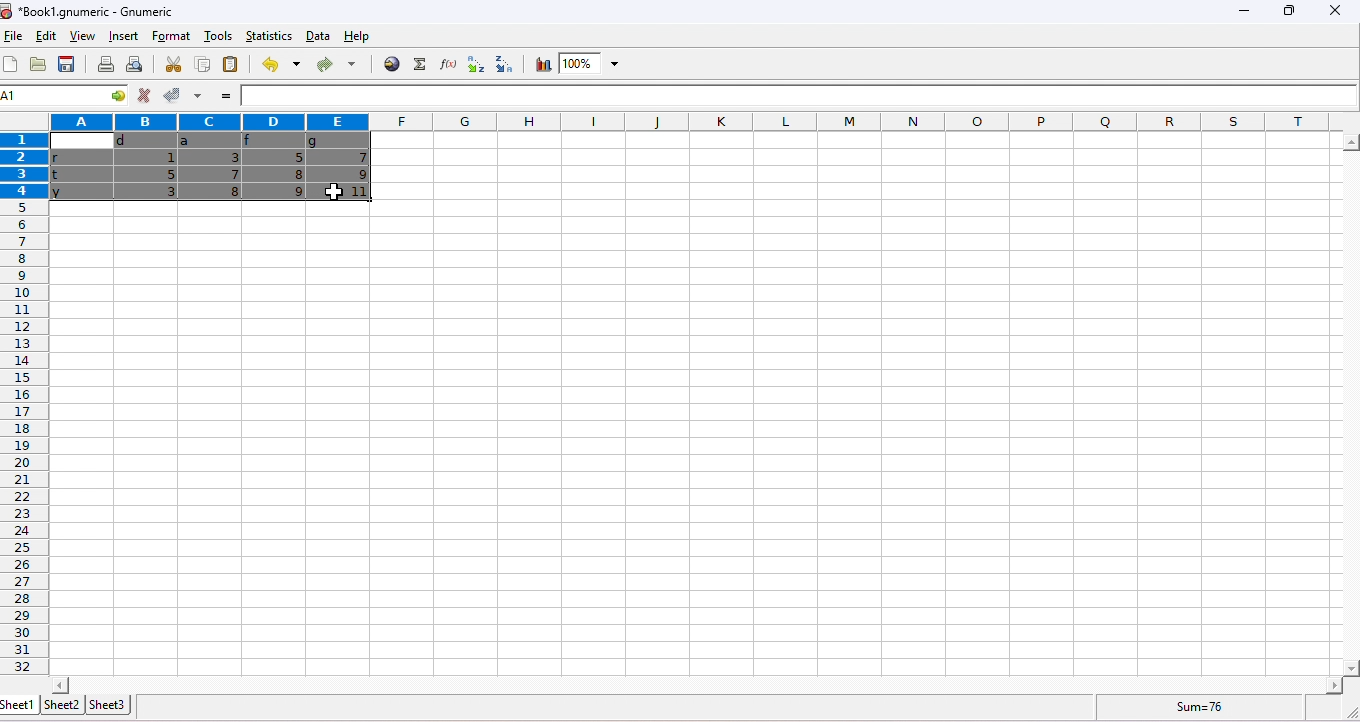 The height and width of the screenshot is (722, 1360). Describe the element at coordinates (335, 66) in the screenshot. I see `redo` at that location.